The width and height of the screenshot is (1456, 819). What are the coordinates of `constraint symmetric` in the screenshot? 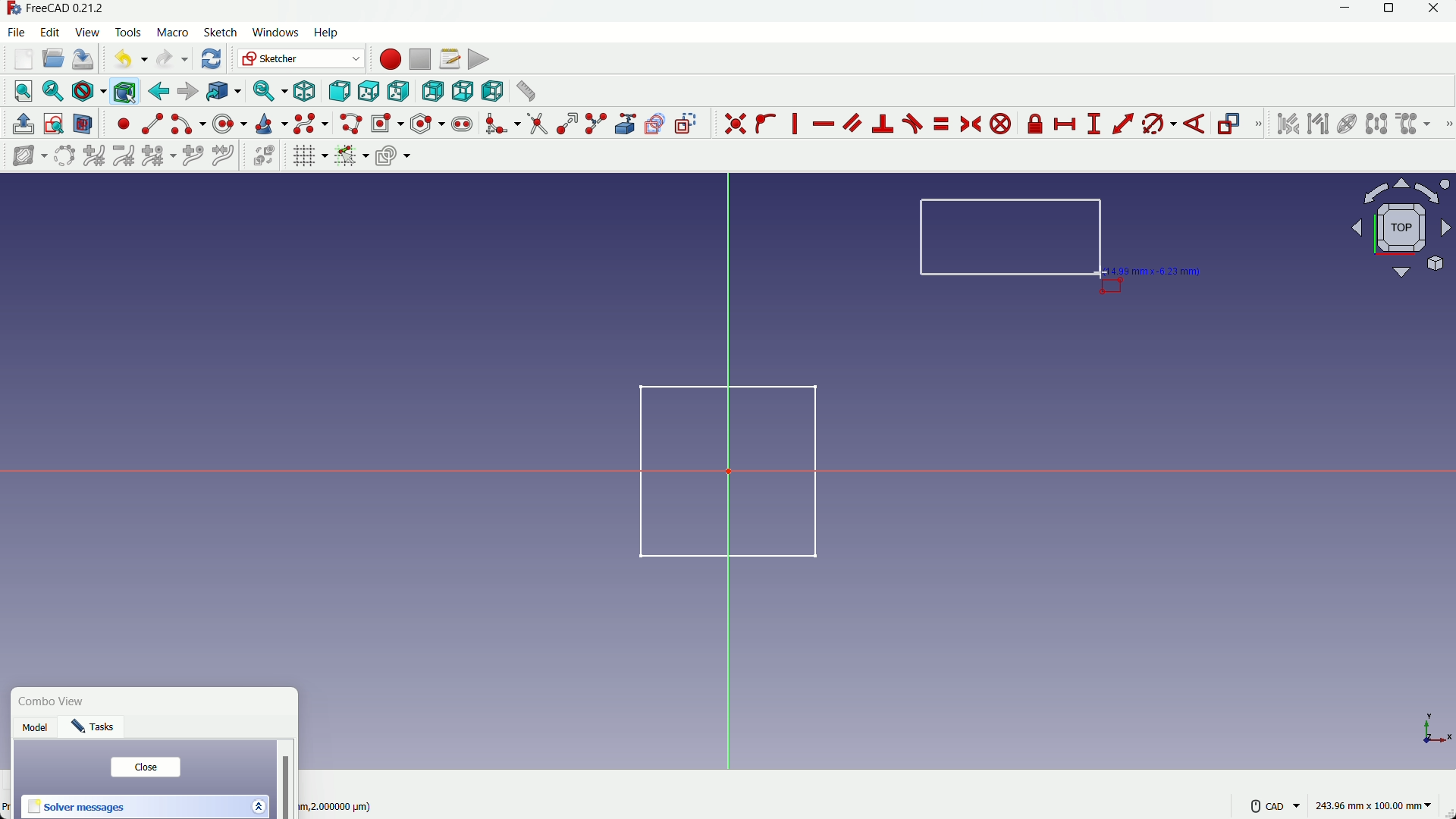 It's located at (972, 124).